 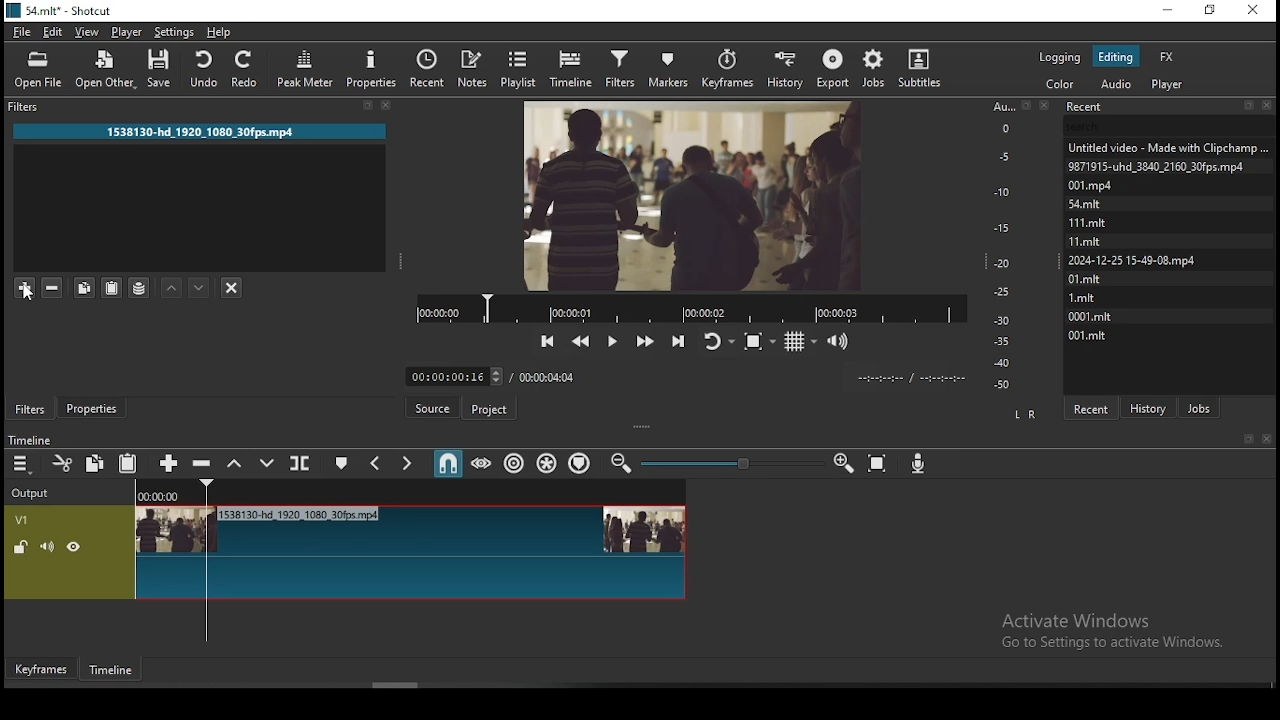 I want to click on 54.mit, so click(x=1108, y=202).